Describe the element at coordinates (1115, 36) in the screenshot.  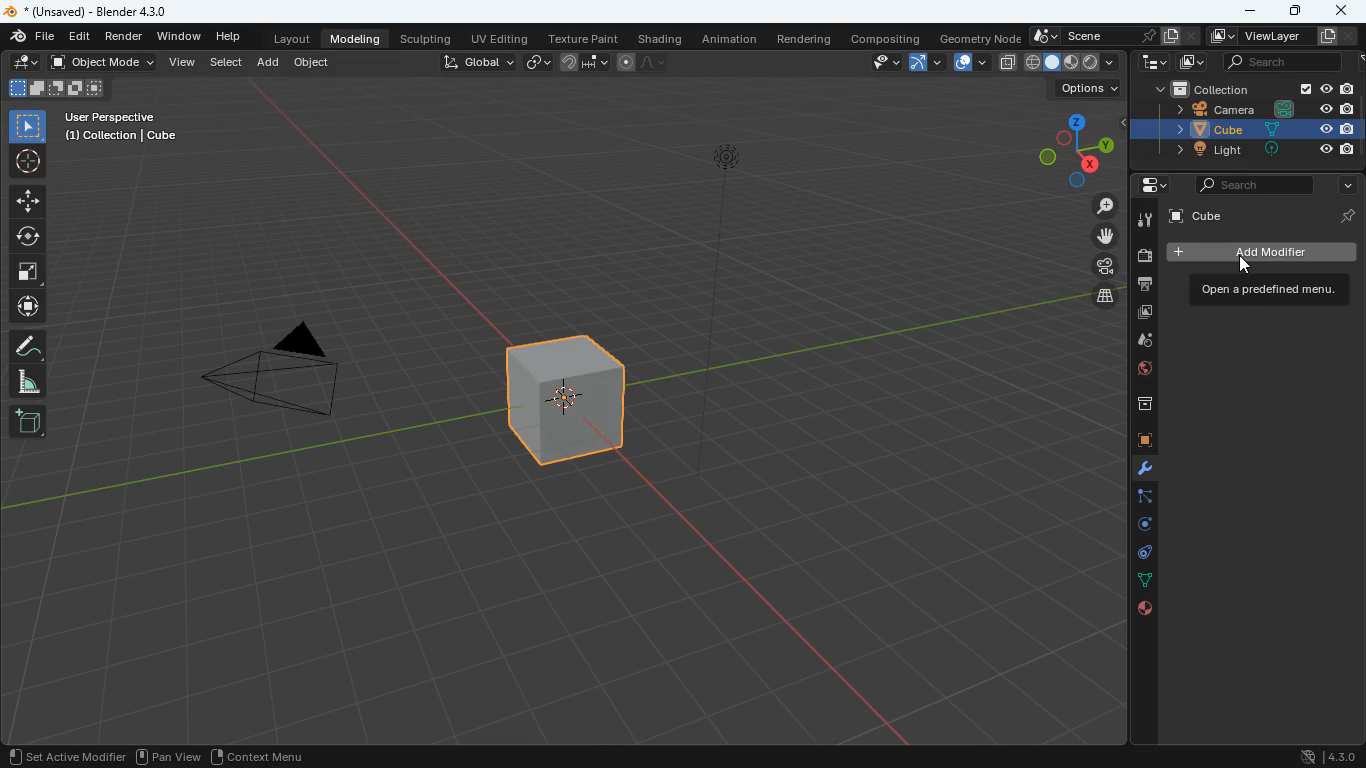
I see `scene` at that location.